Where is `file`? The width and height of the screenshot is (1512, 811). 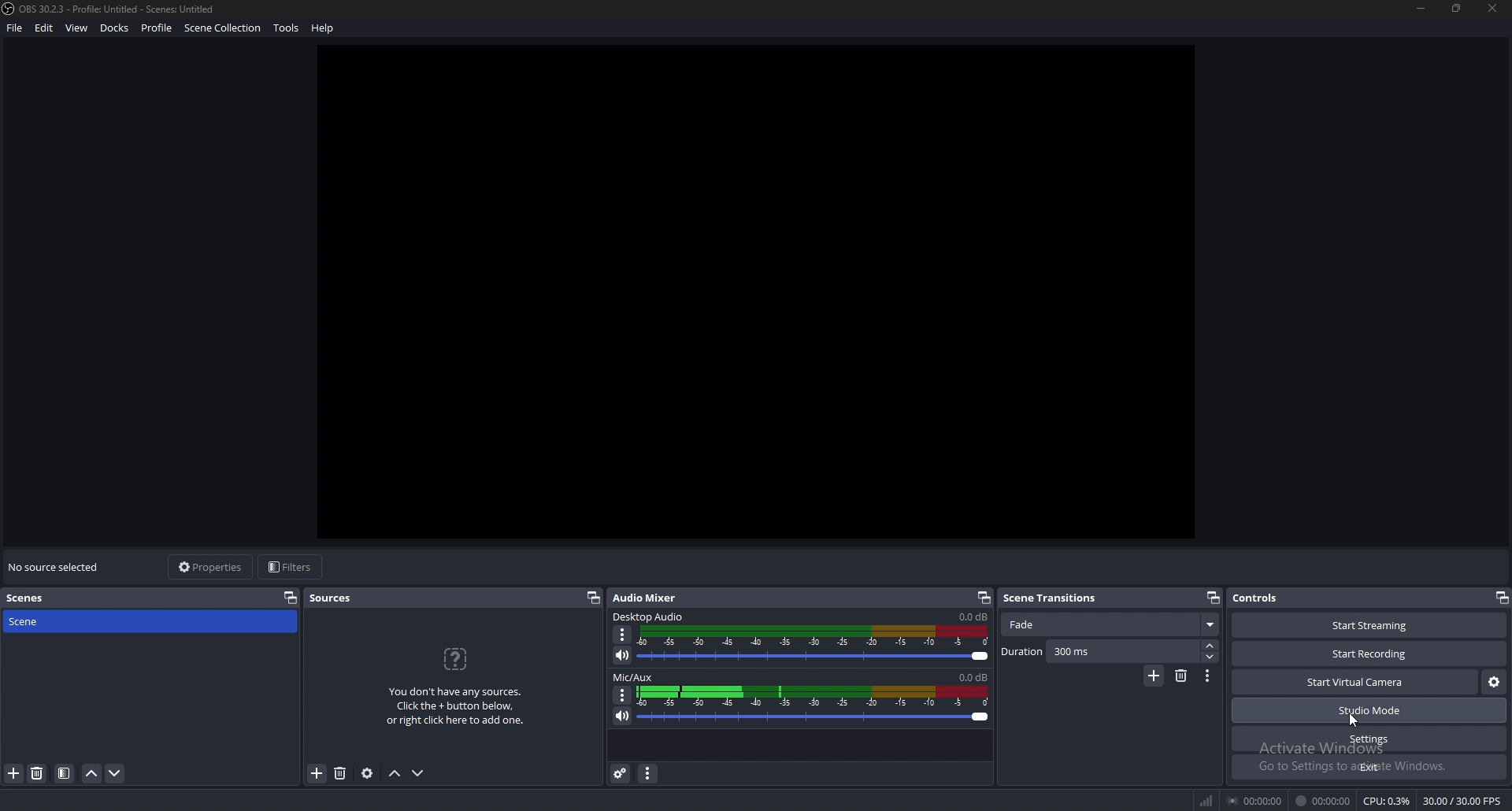
file is located at coordinates (16, 28).